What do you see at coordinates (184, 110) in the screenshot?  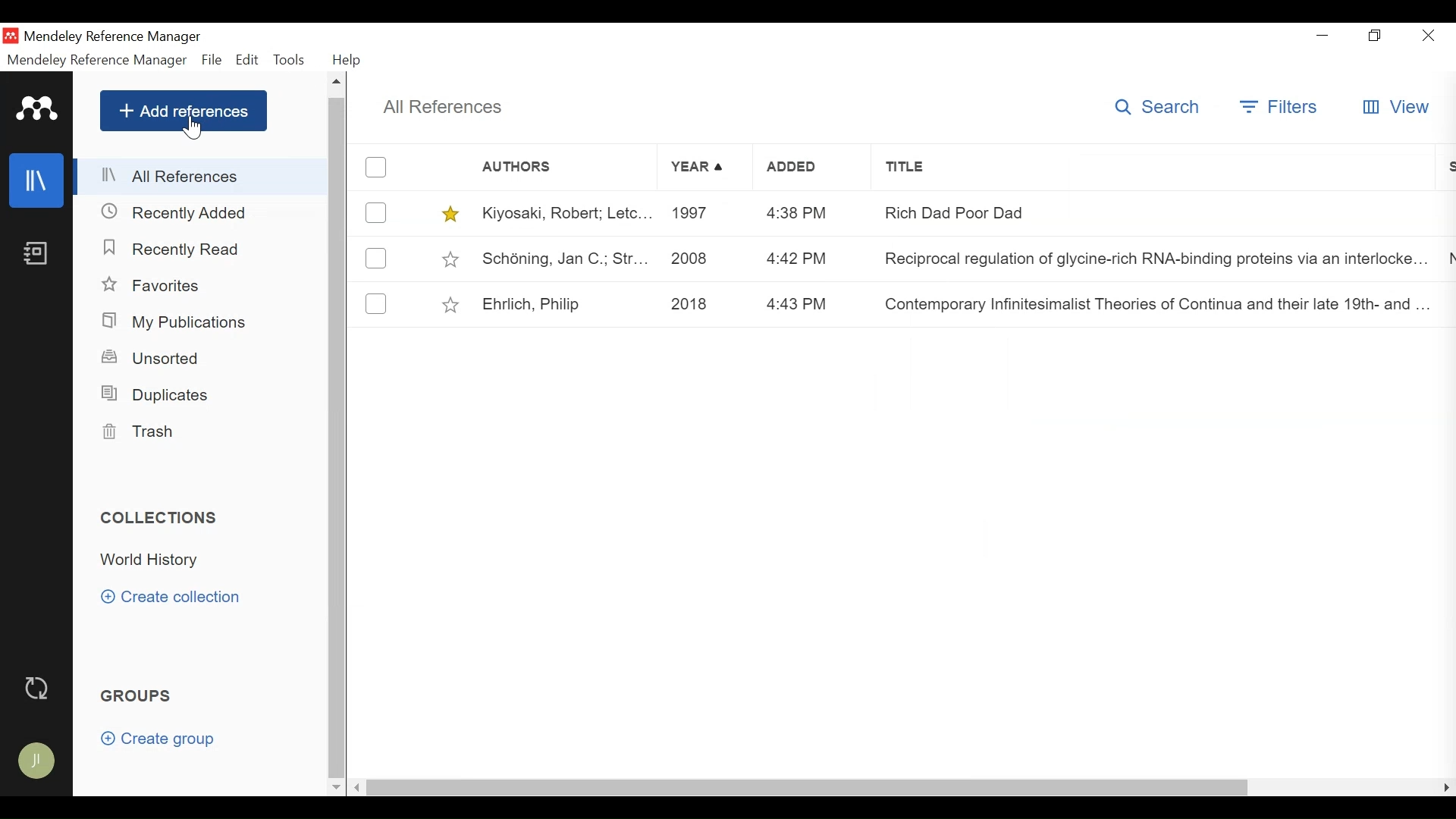 I see `Add References` at bounding box center [184, 110].